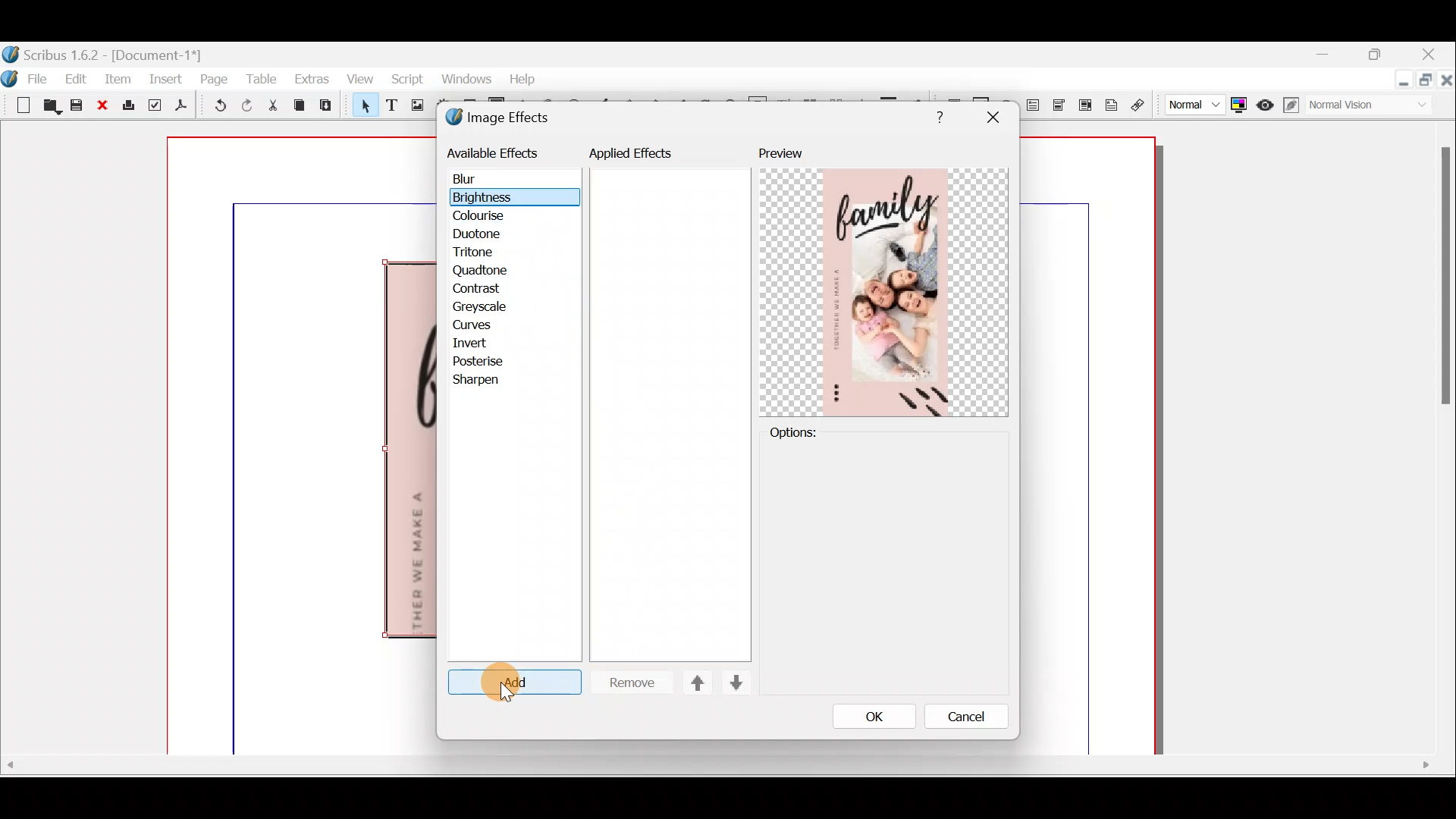 The width and height of the screenshot is (1456, 819). Describe the element at coordinates (462, 80) in the screenshot. I see `Windows` at that location.